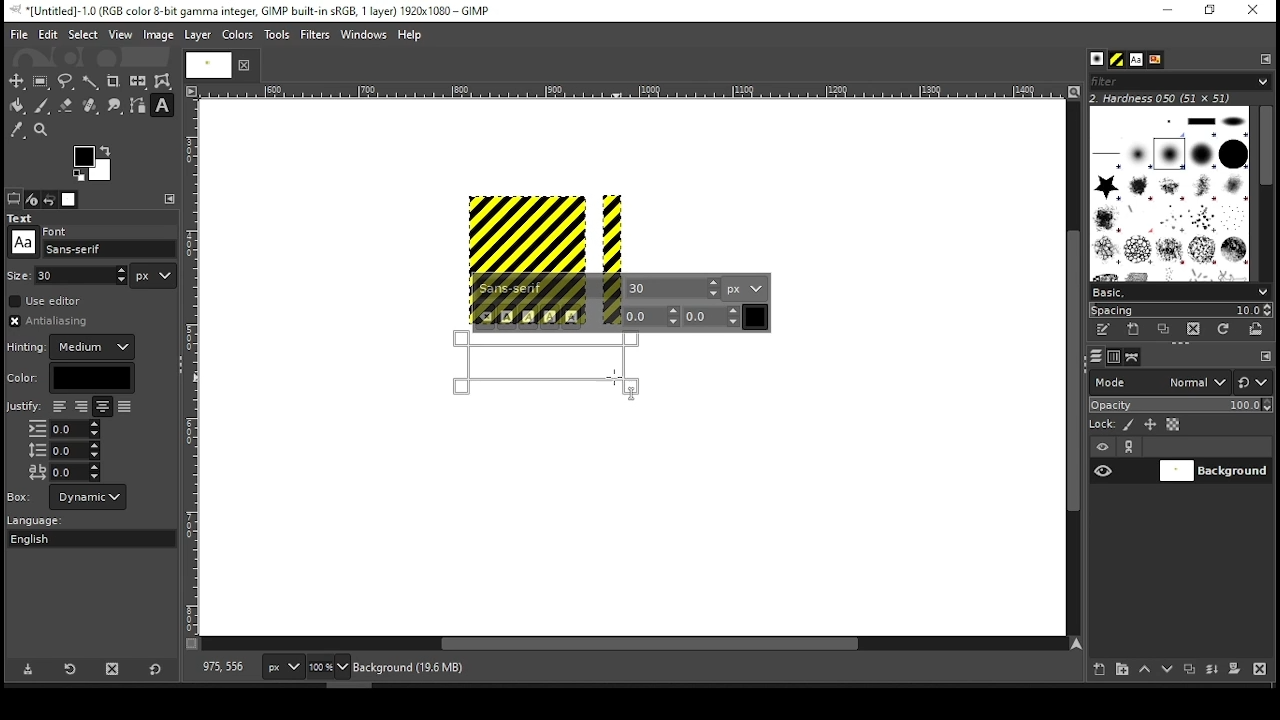 Image resolution: width=1280 pixels, height=720 pixels. I want to click on , so click(57, 229).